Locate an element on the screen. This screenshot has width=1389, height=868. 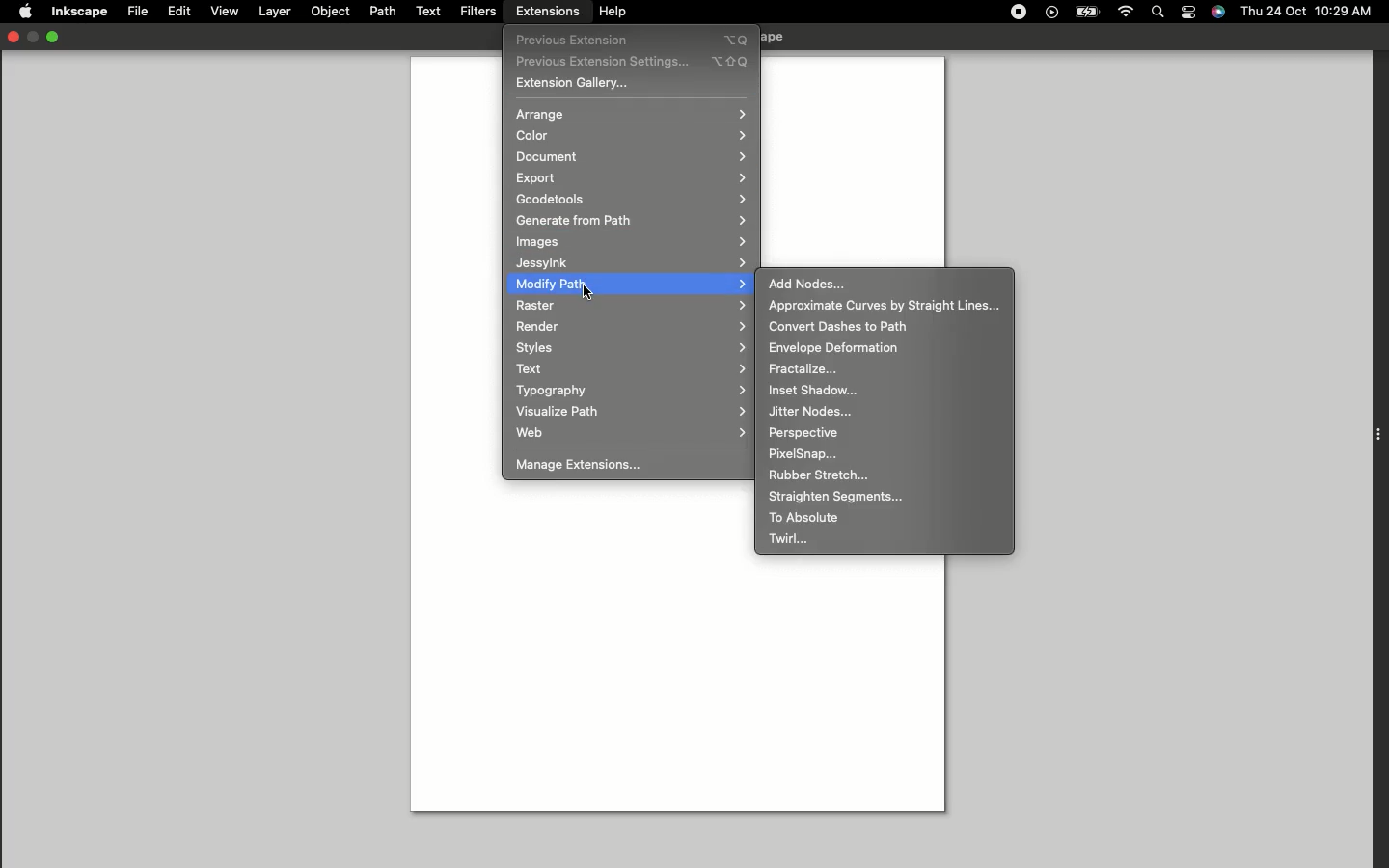
Object is located at coordinates (330, 12).